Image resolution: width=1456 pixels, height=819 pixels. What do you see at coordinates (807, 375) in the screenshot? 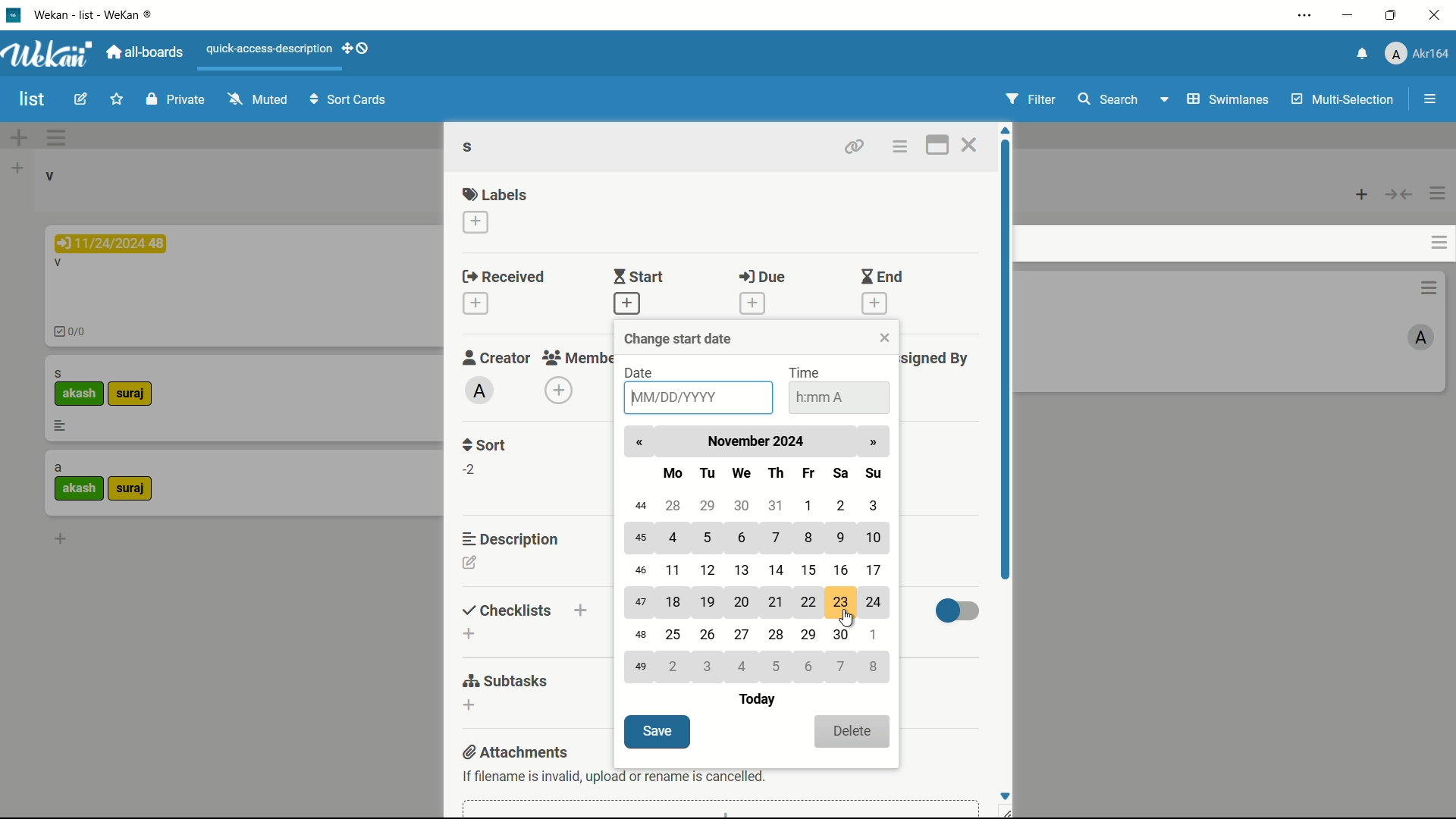
I see `time` at bounding box center [807, 375].